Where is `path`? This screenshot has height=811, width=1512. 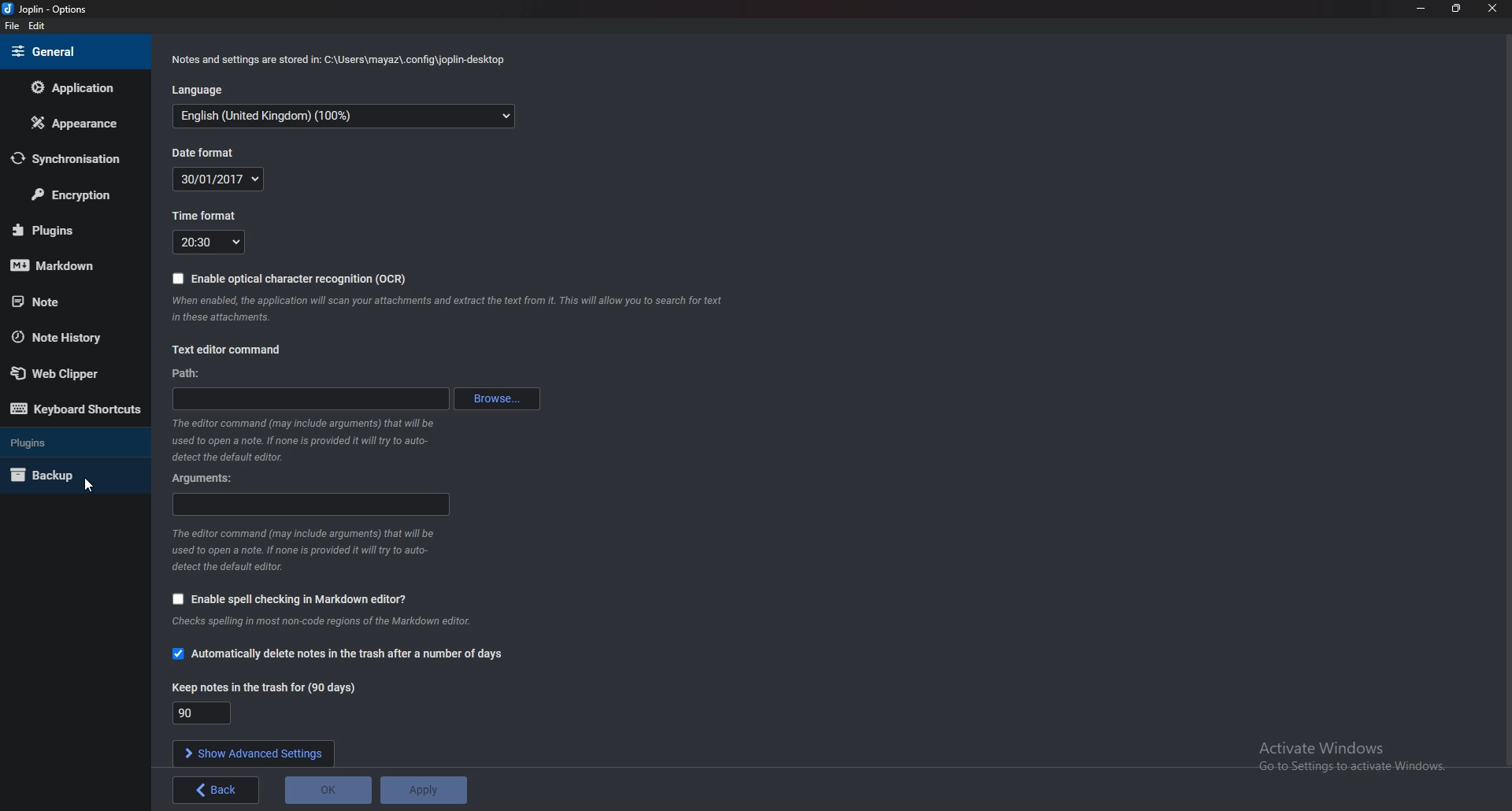
path is located at coordinates (192, 374).